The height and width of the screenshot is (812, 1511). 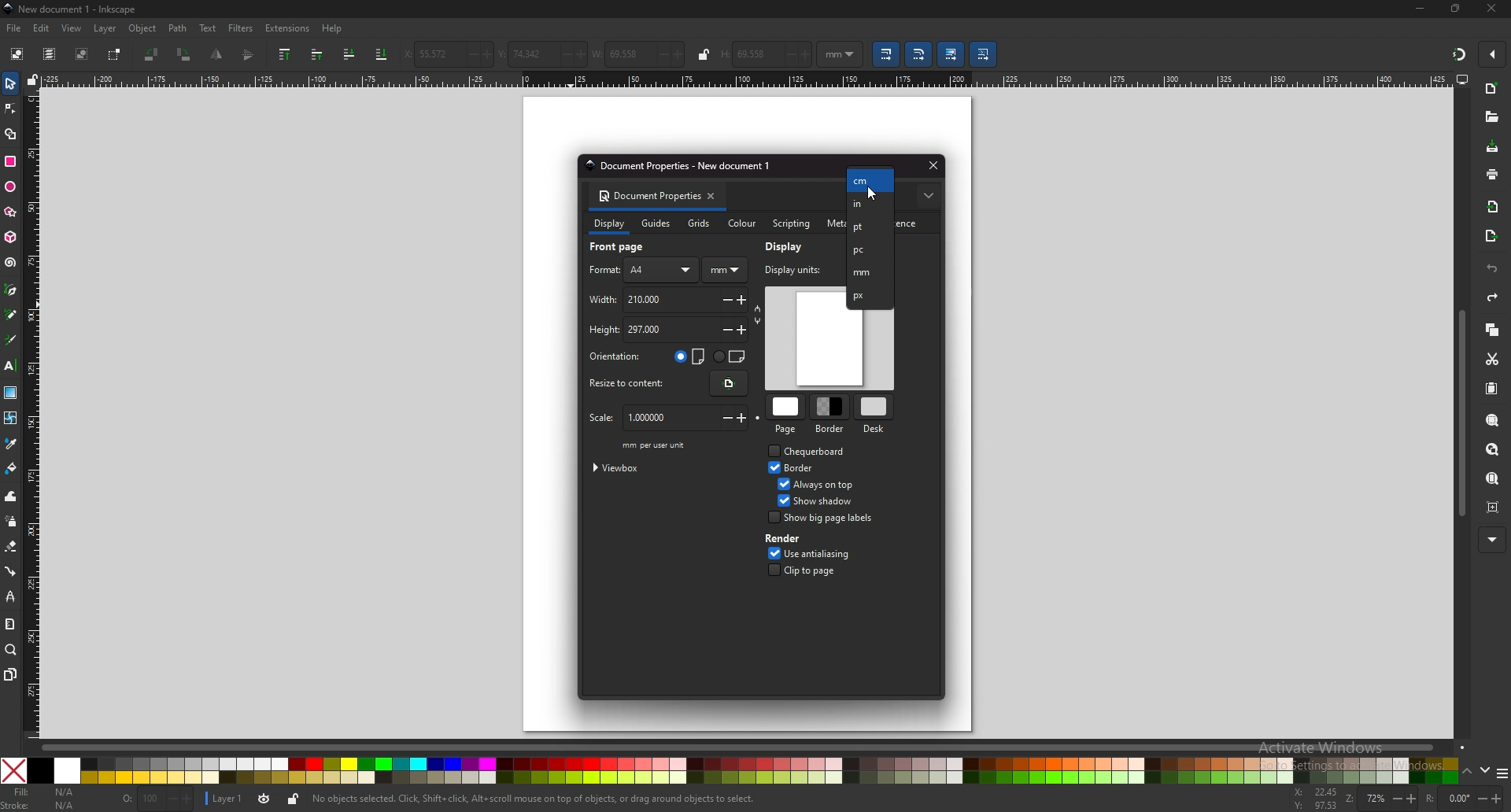 I want to click on lpe, so click(x=9, y=597).